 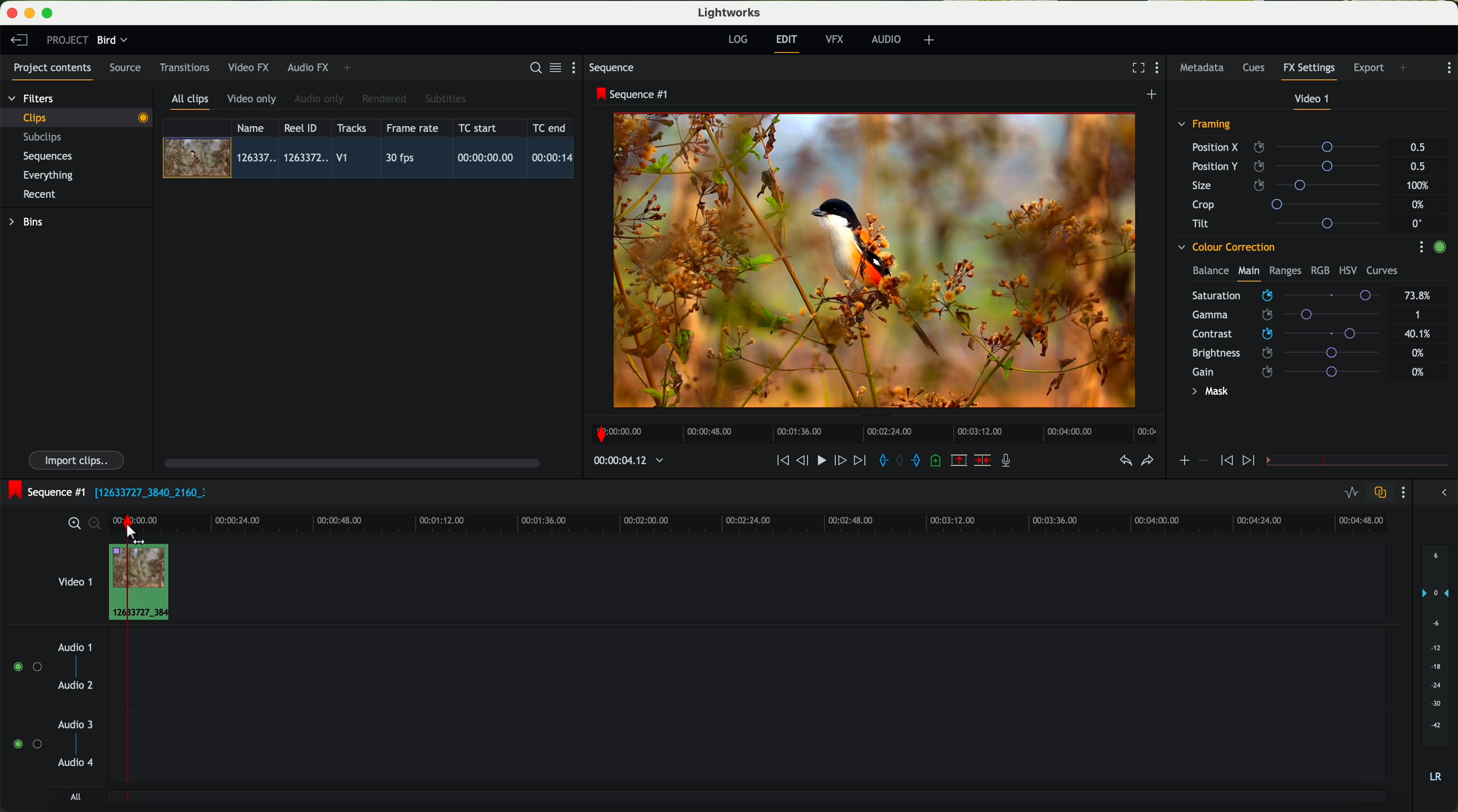 I want to click on 1, so click(x=1418, y=316).